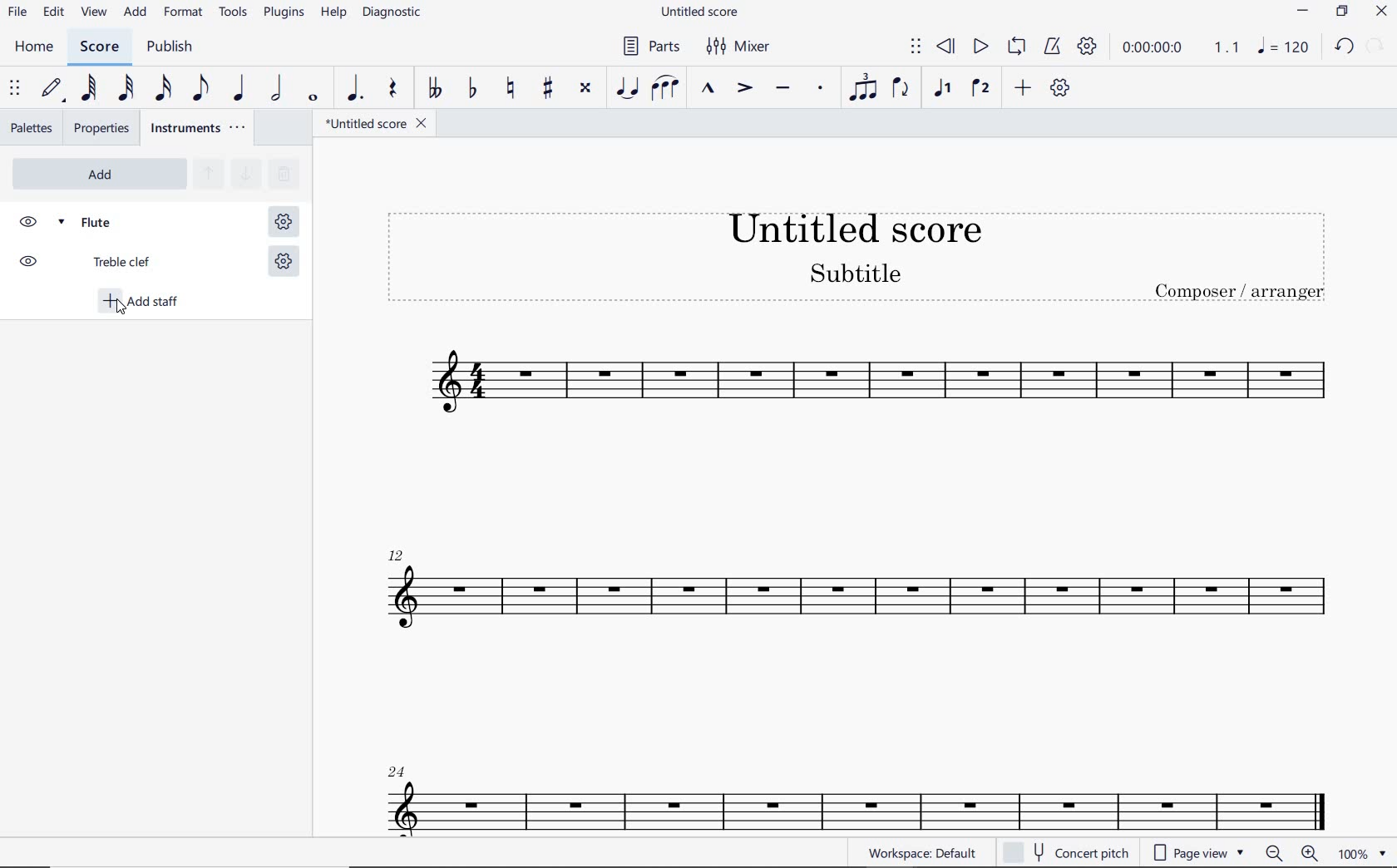 The height and width of the screenshot is (868, 1397). I want to click on HALF NOTE, so click(278, 90).